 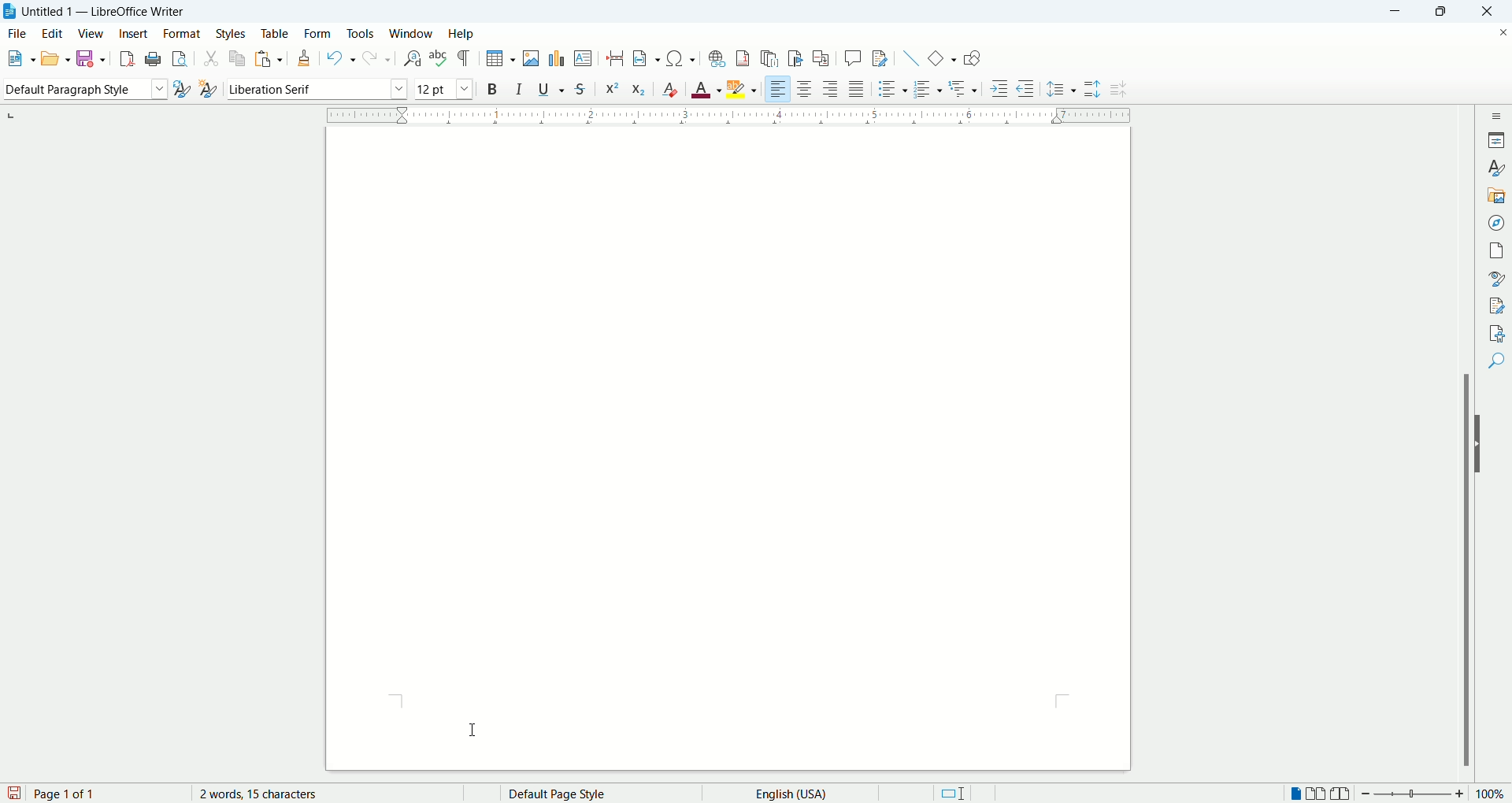 What do you see at coordinates (181, 34) in the screenshot?
I see `format` at bounding box center [181, 34].